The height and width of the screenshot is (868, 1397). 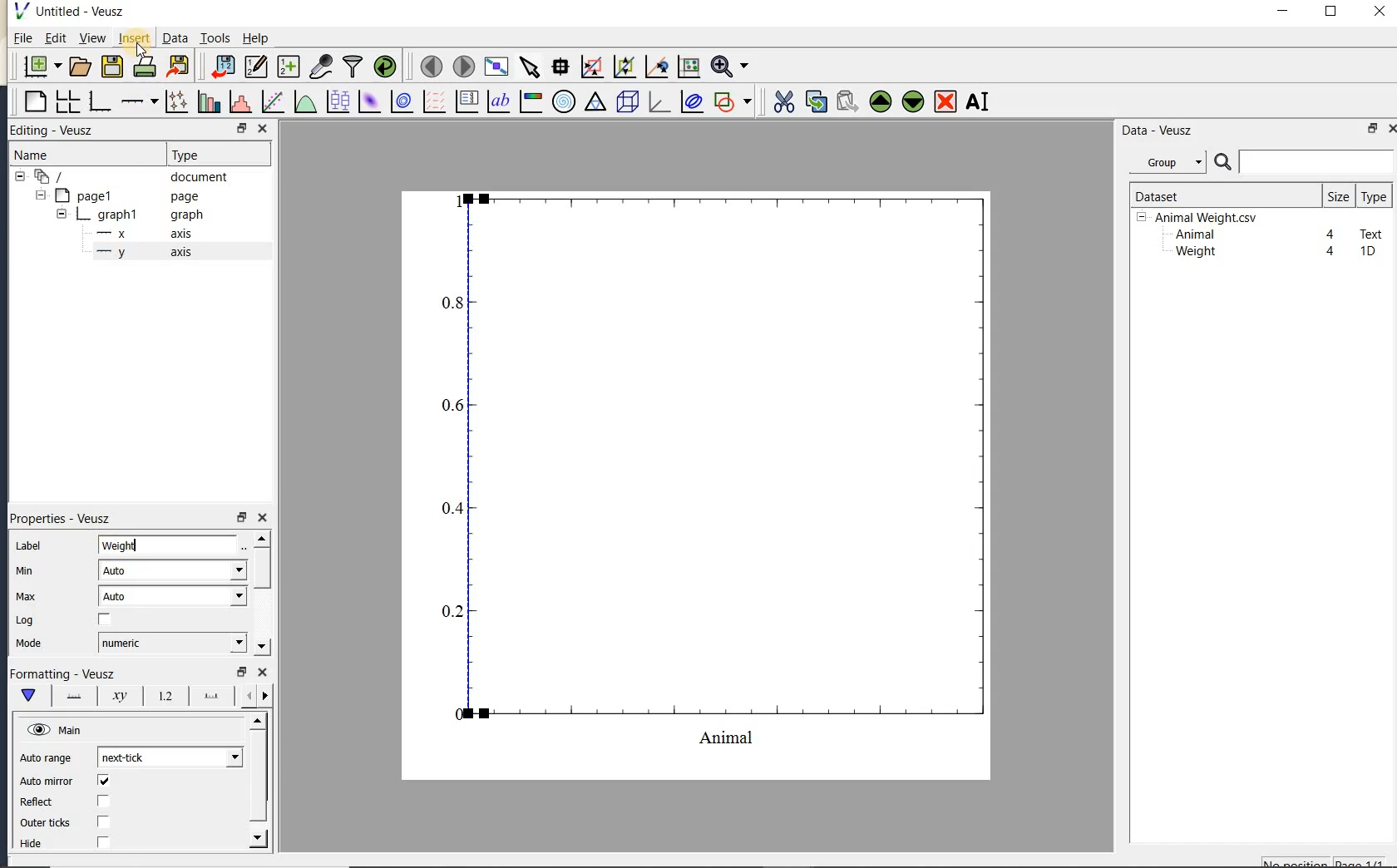 I want to click on plot bar charts, so click(x=209, y=101).